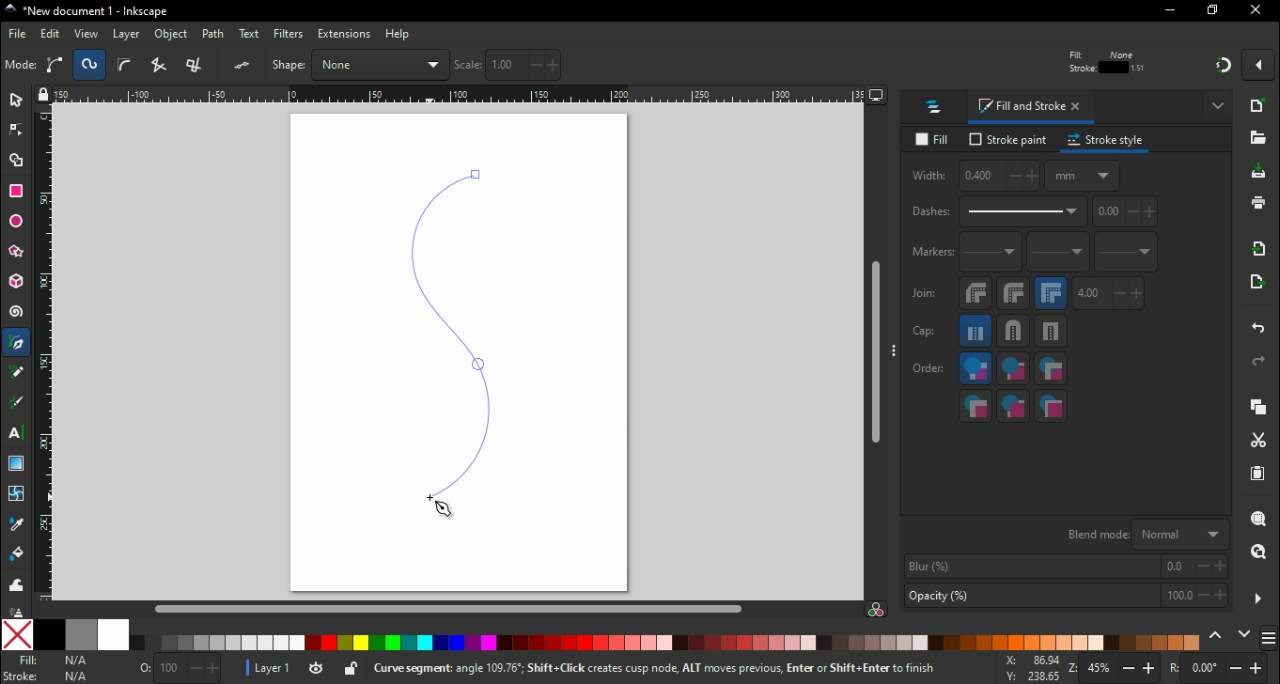  Describe the element at coordinates (1224, 69) in the screenshot. I see `snapping: on/off` at that location.